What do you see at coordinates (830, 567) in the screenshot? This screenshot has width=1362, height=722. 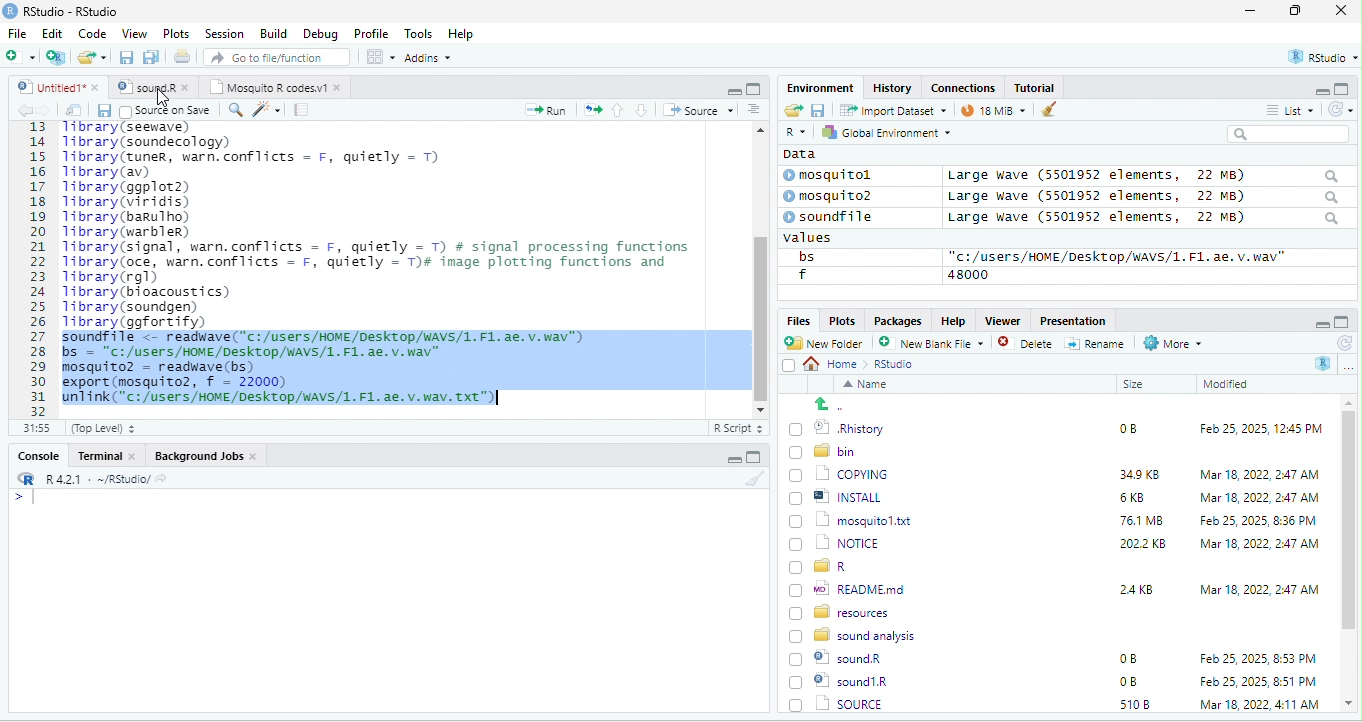 I see `[) = R` at bounding box center [830, 567].